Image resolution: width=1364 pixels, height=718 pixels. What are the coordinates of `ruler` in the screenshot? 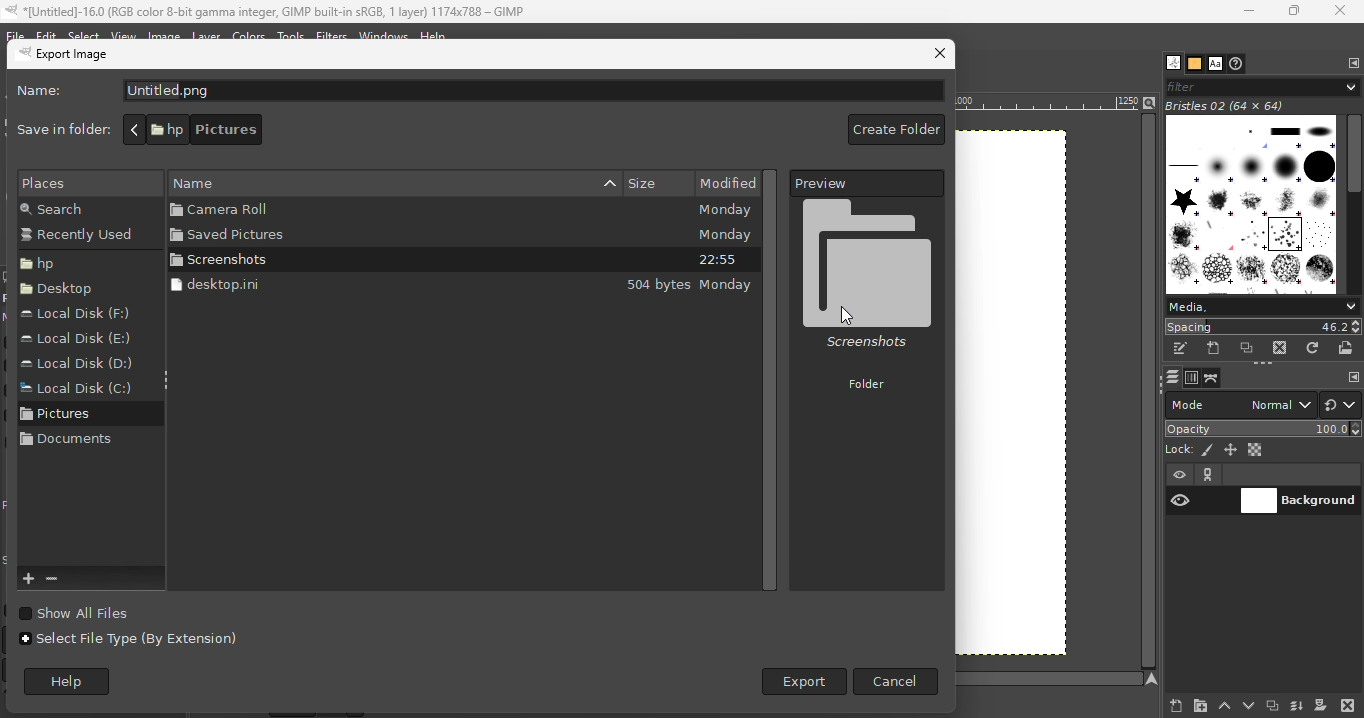 It's located at (1046, 105).